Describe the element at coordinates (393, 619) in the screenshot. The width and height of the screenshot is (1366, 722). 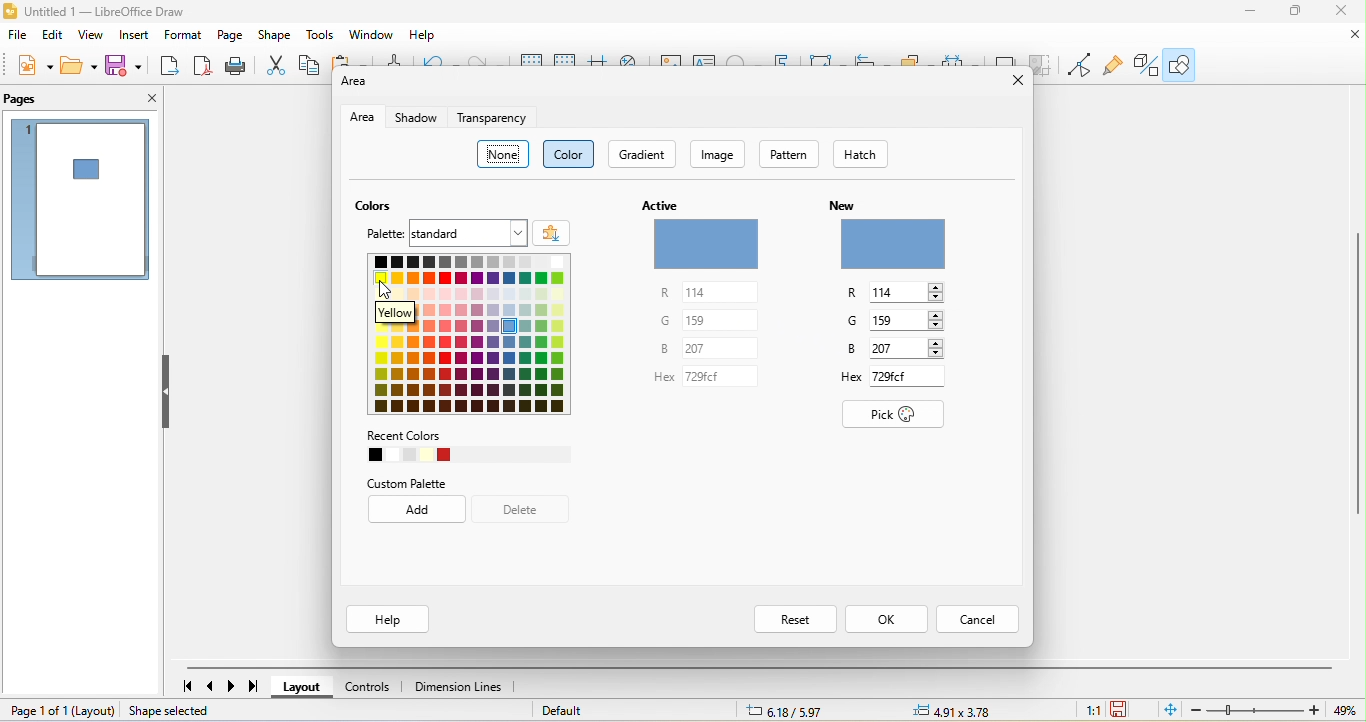
I see `help` at that location.